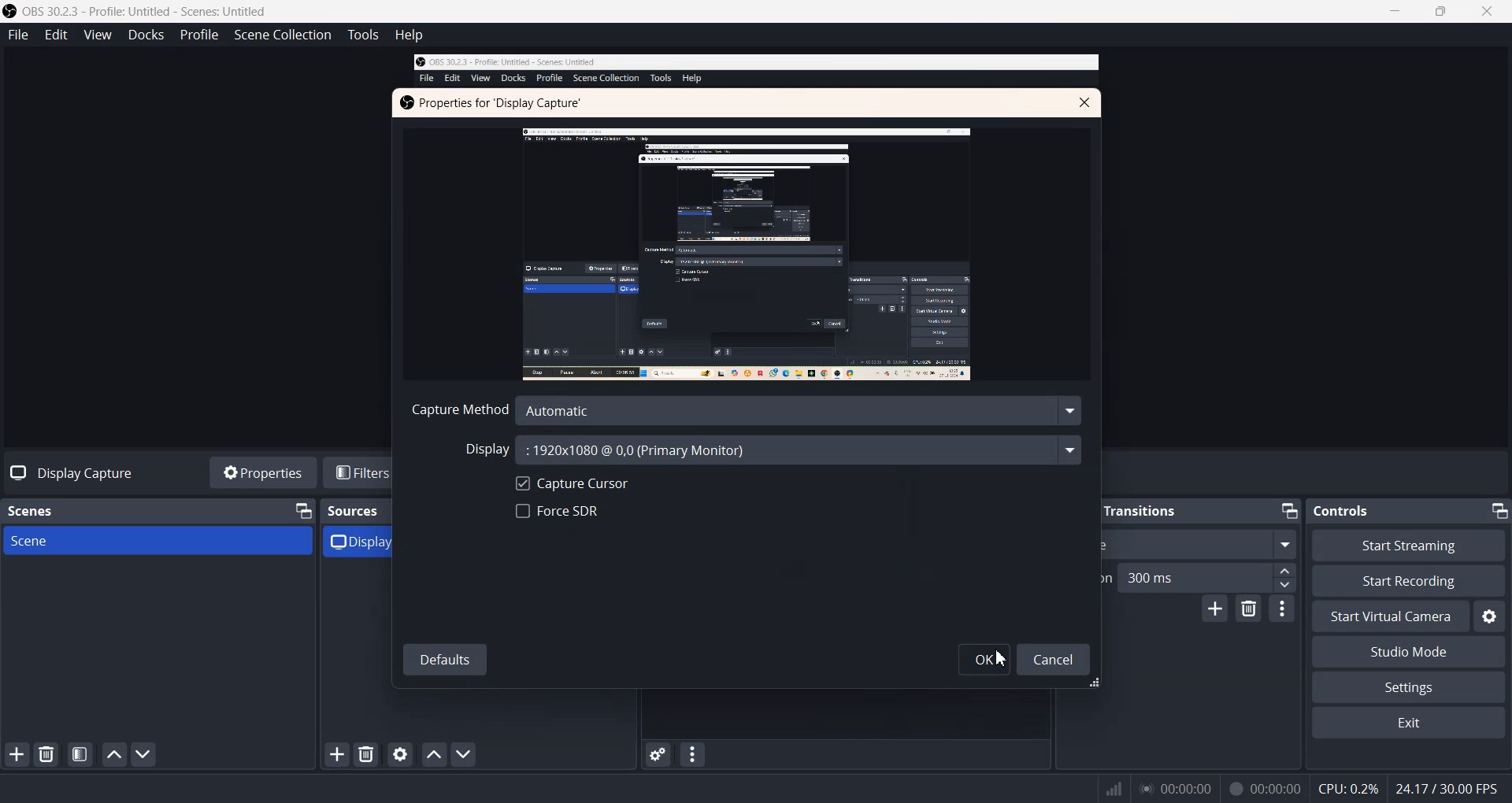  What do you see at coordinates (984, 659) in the screenshot?
I see `OK` at bounding box center [984, 659].